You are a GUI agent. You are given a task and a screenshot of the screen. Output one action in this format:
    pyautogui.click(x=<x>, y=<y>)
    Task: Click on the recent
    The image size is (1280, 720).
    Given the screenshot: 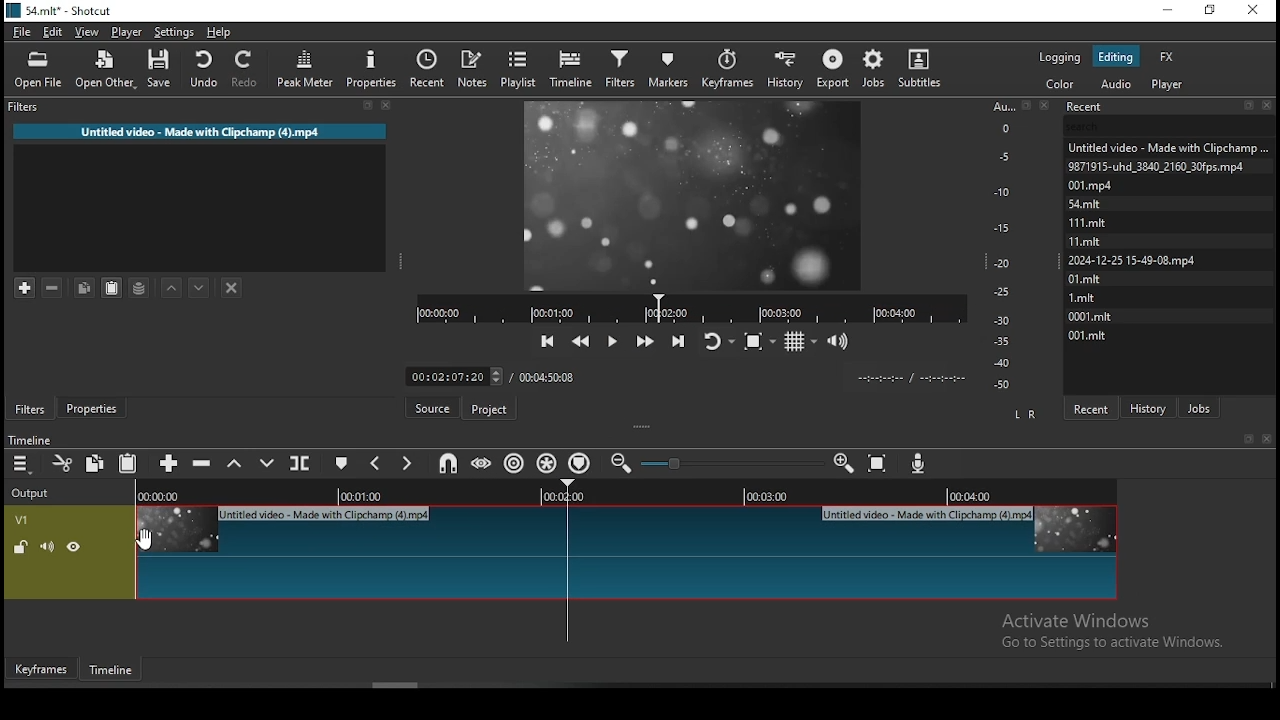 What is the action you would take?
    pyautogui.click(x=431, y=68)
    